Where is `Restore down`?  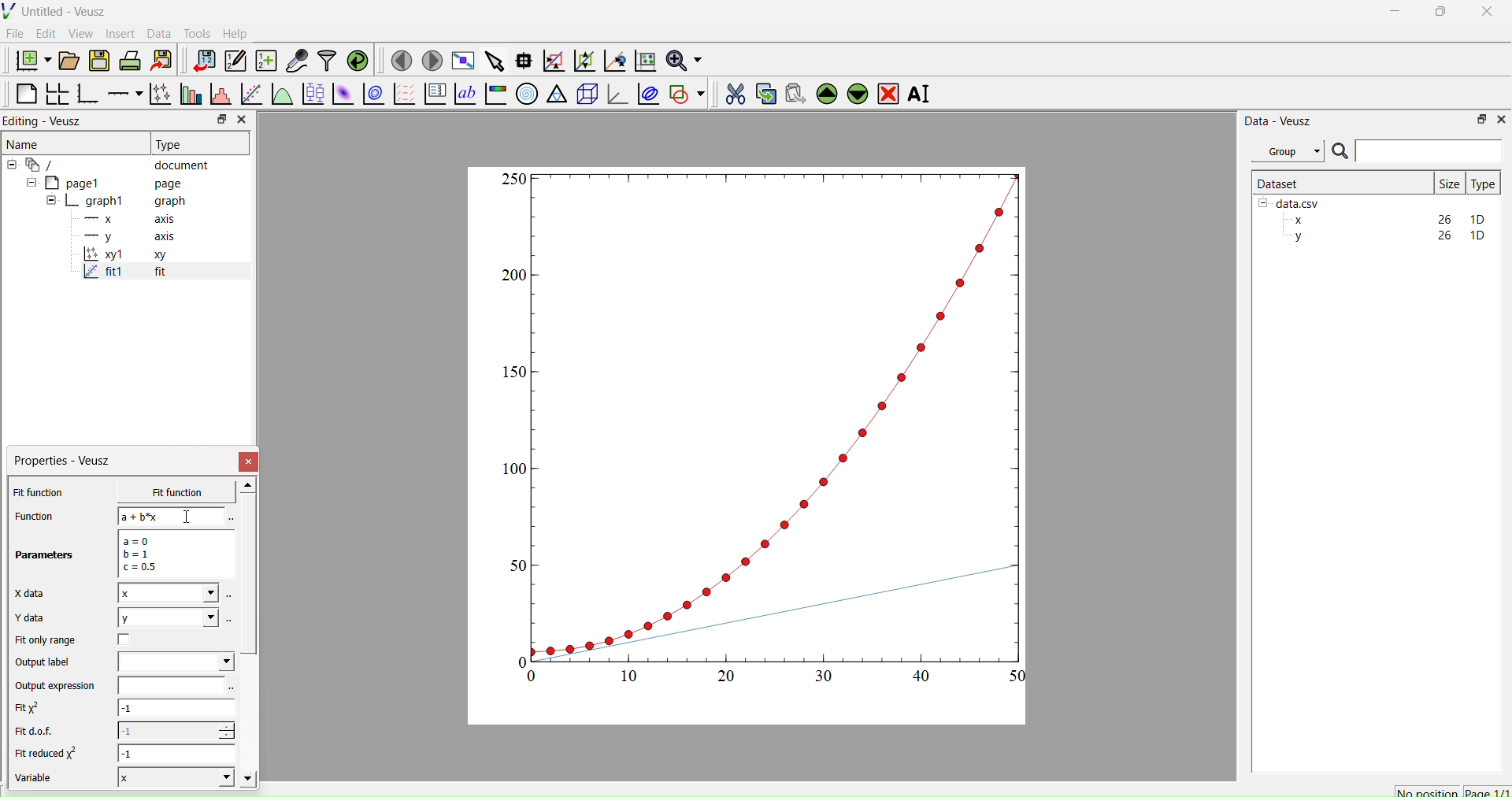 Restore down is located at coordinates (218, 120).